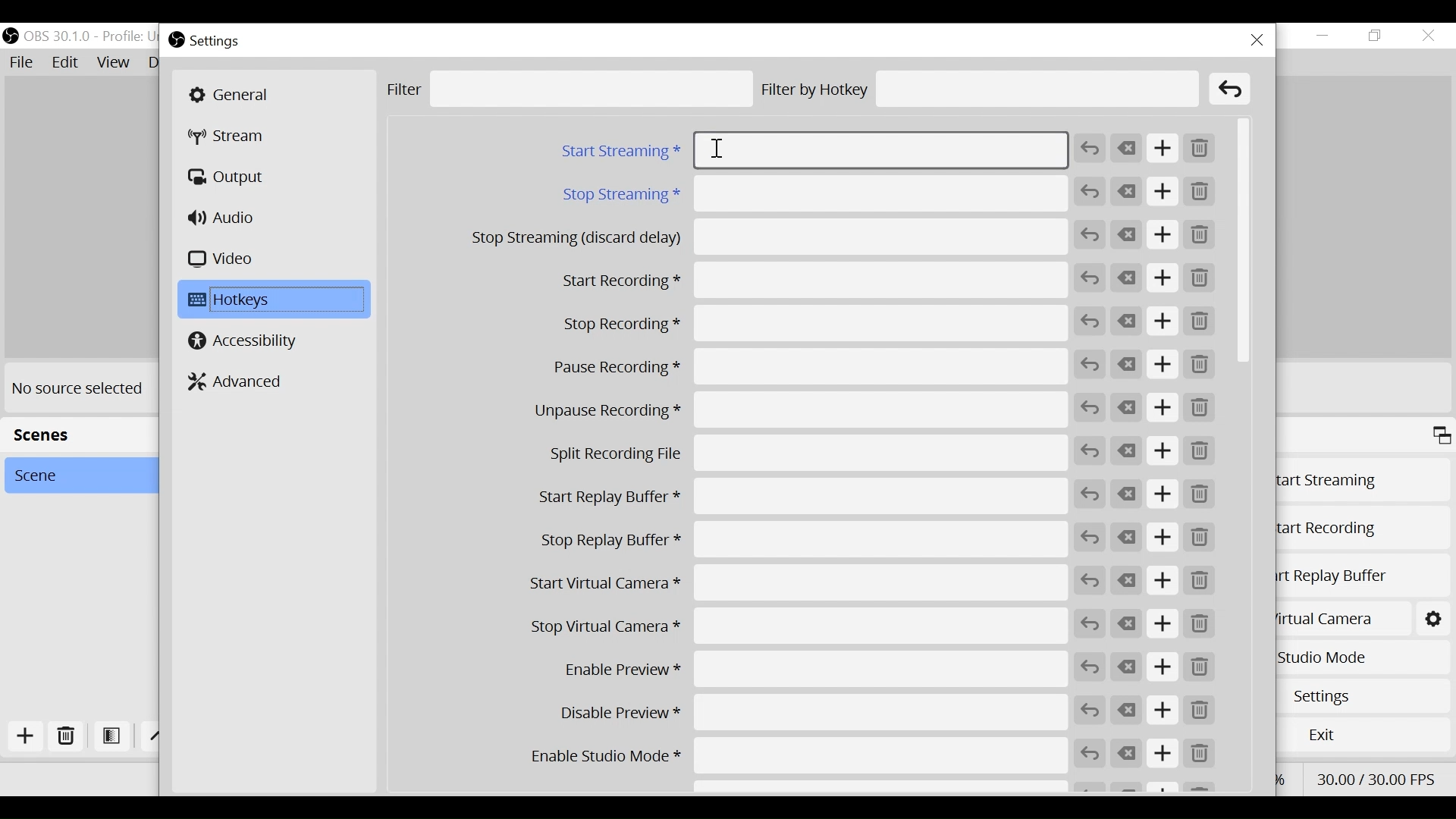 Image resolution: width=1456 pixels, height=819 pixels. What do you see at coordinates (1241, 240) in the screenshot?
I see `Vertical Scroll bar` at bounding box center [1241, 240].